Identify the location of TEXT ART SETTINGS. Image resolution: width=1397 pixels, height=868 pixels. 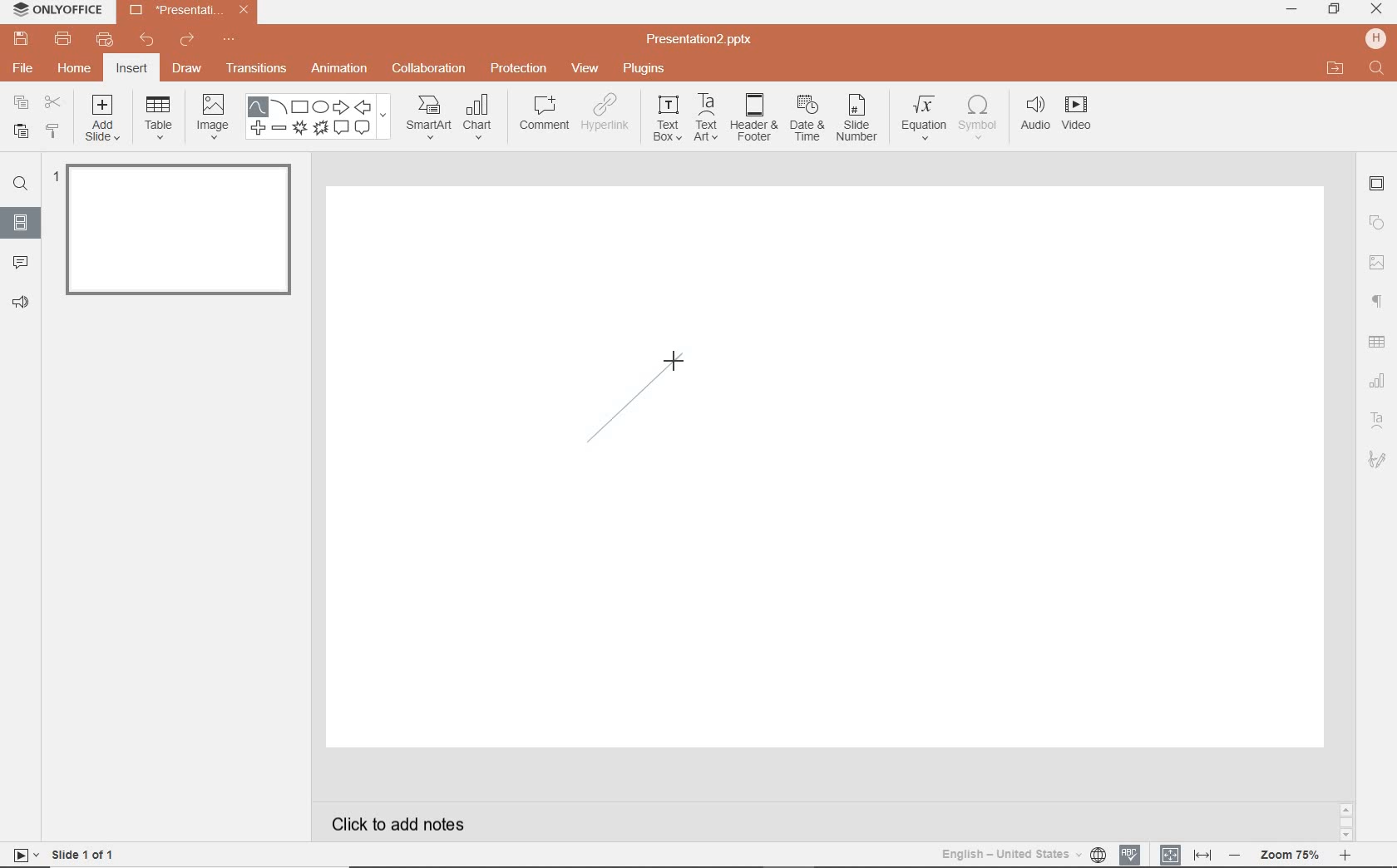
(1379, 421).